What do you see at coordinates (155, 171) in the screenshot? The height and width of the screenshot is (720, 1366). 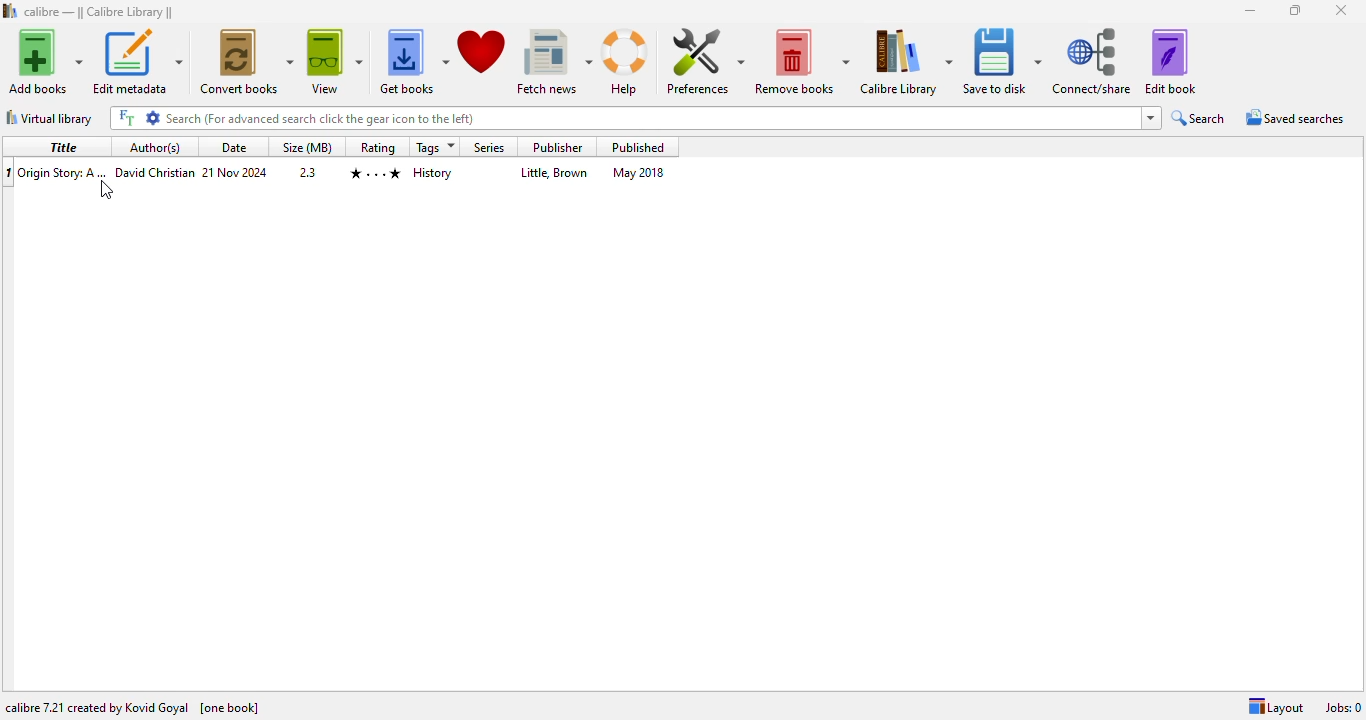 I see `david christian` at bounding box center [155, 171].